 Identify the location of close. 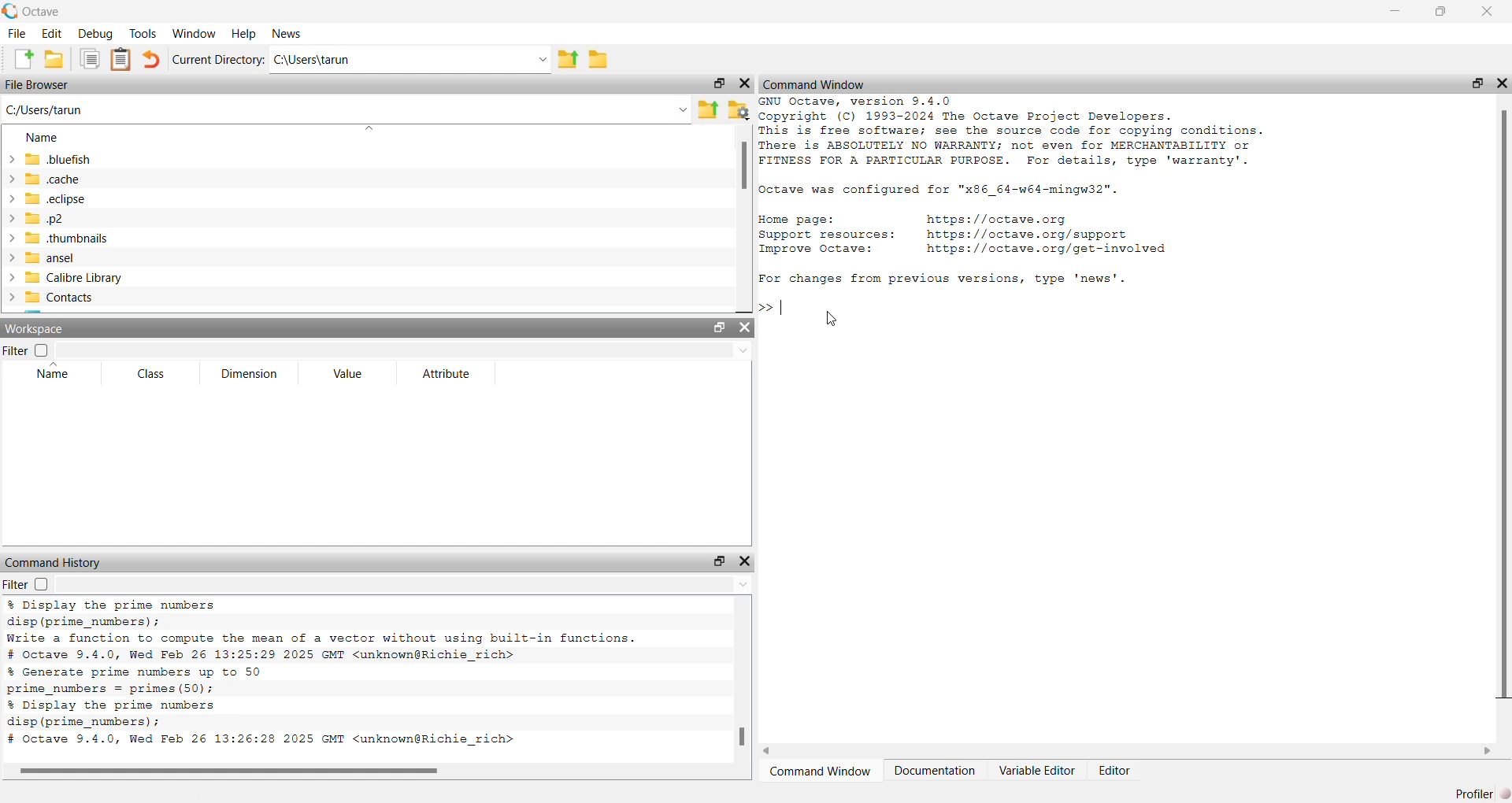
(745, 83).